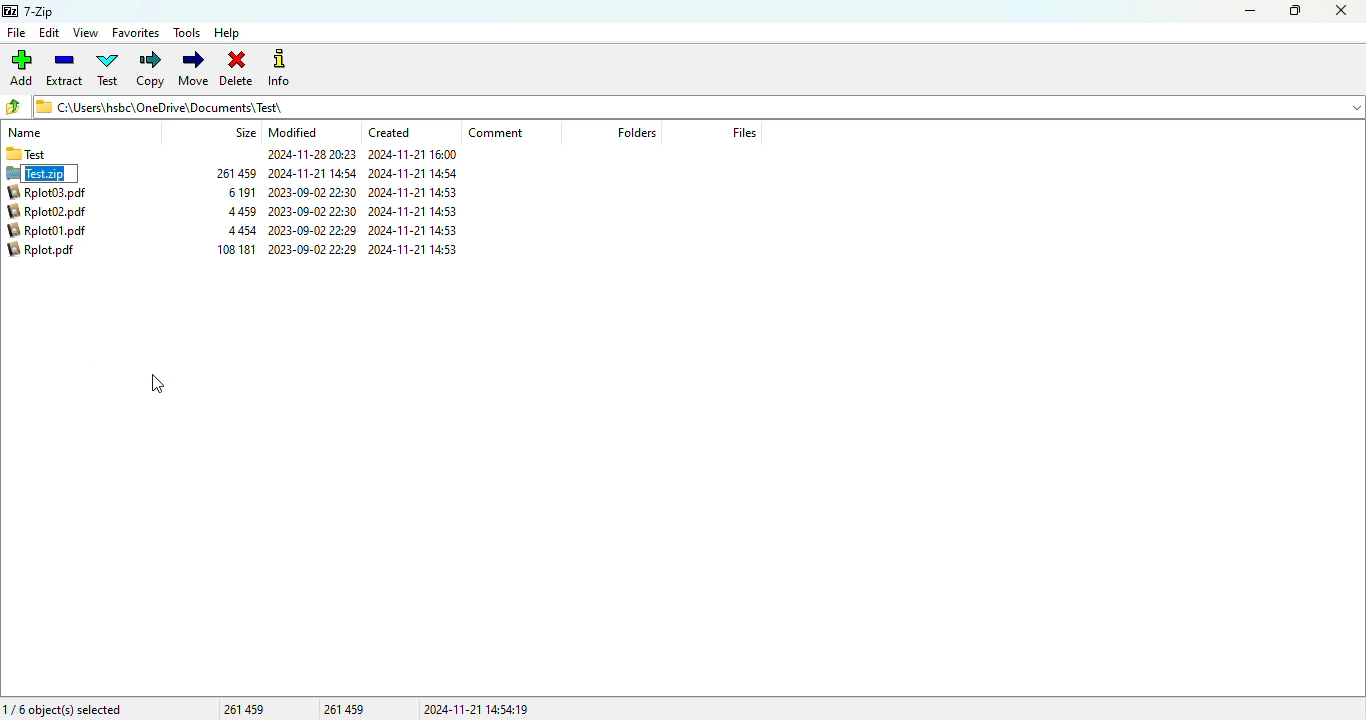  I want to click on 2023-09-02 22:30, so click(312, 250).